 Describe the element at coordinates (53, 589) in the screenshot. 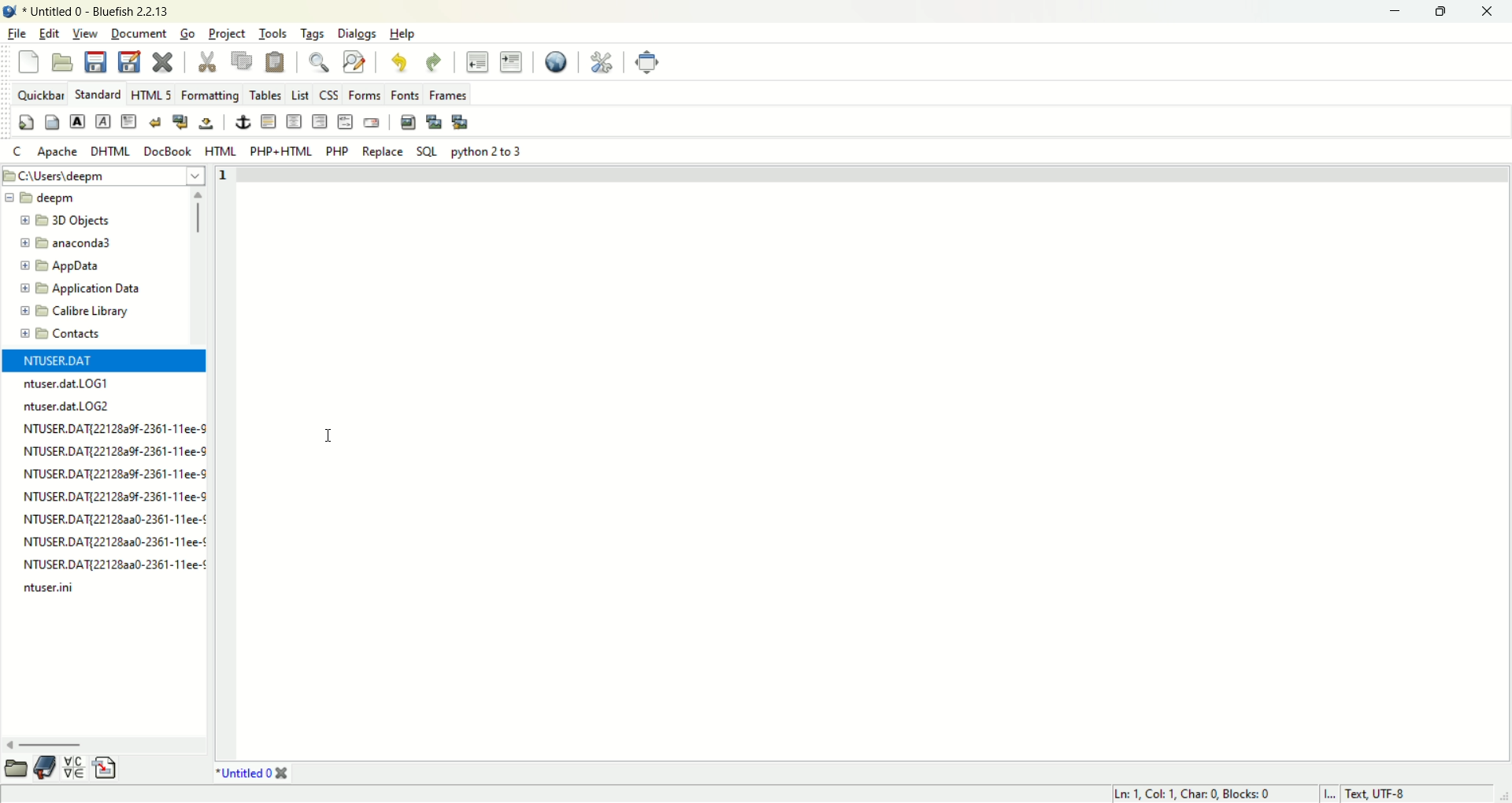

I see `ntuser.ini` at that location.